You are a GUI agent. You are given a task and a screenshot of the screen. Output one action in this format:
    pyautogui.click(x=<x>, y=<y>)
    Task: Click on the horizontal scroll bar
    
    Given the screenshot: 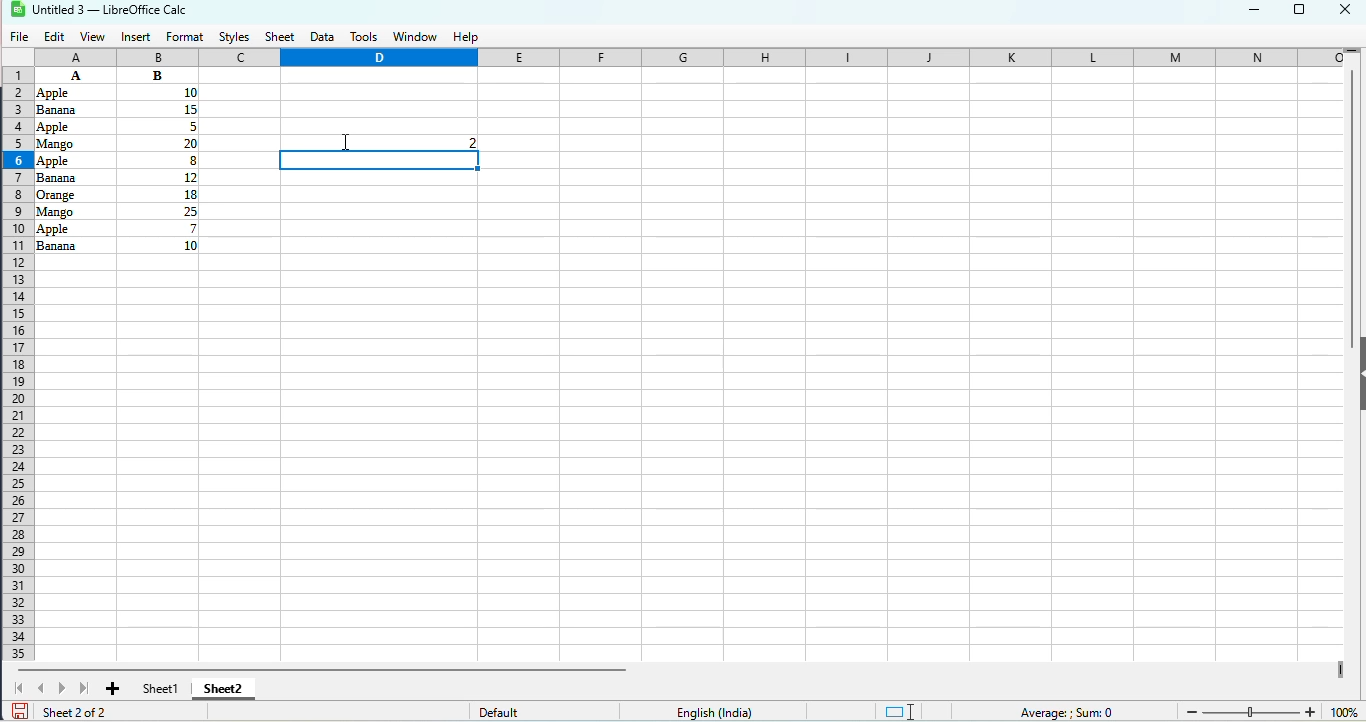 What is the action you would take?
    pyautogui.click(x=323, y=670)
    